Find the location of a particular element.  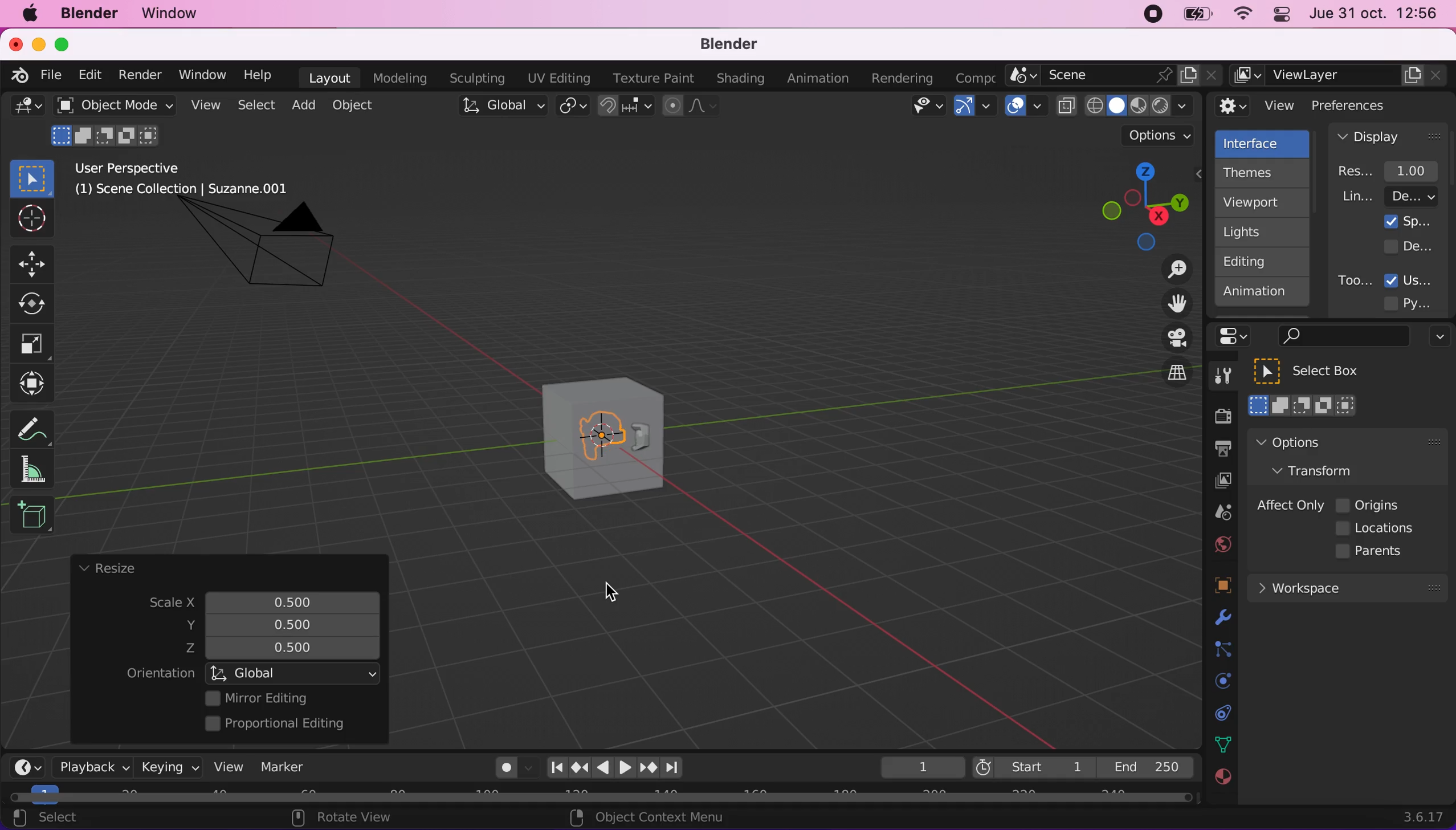

snap is located at coordinates (627, 106).